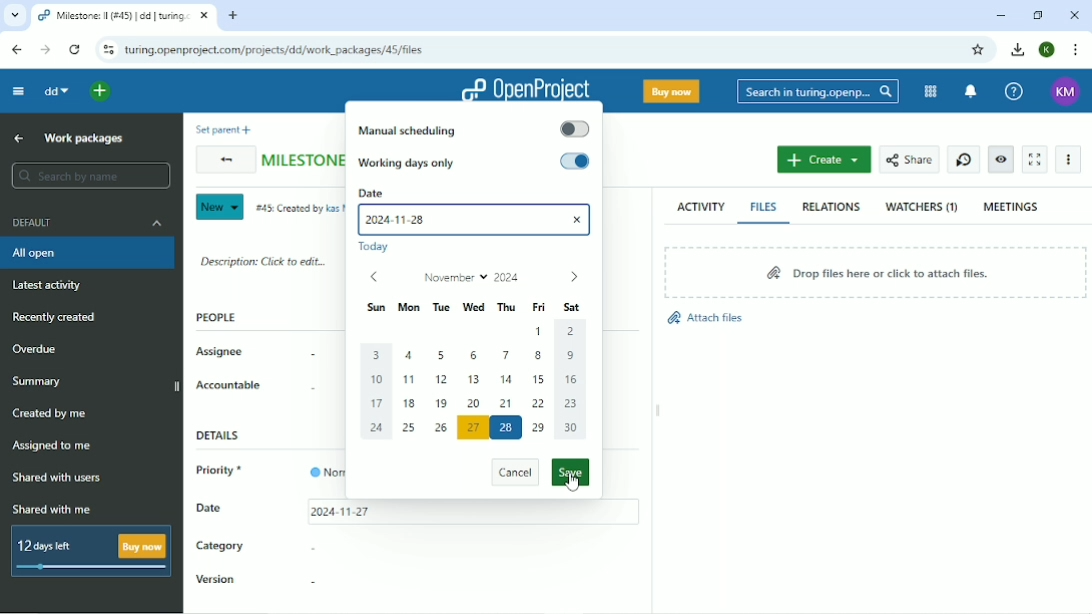  Describe the element at coordinates (217, 317) in the screenshot. I see `People` at that location.